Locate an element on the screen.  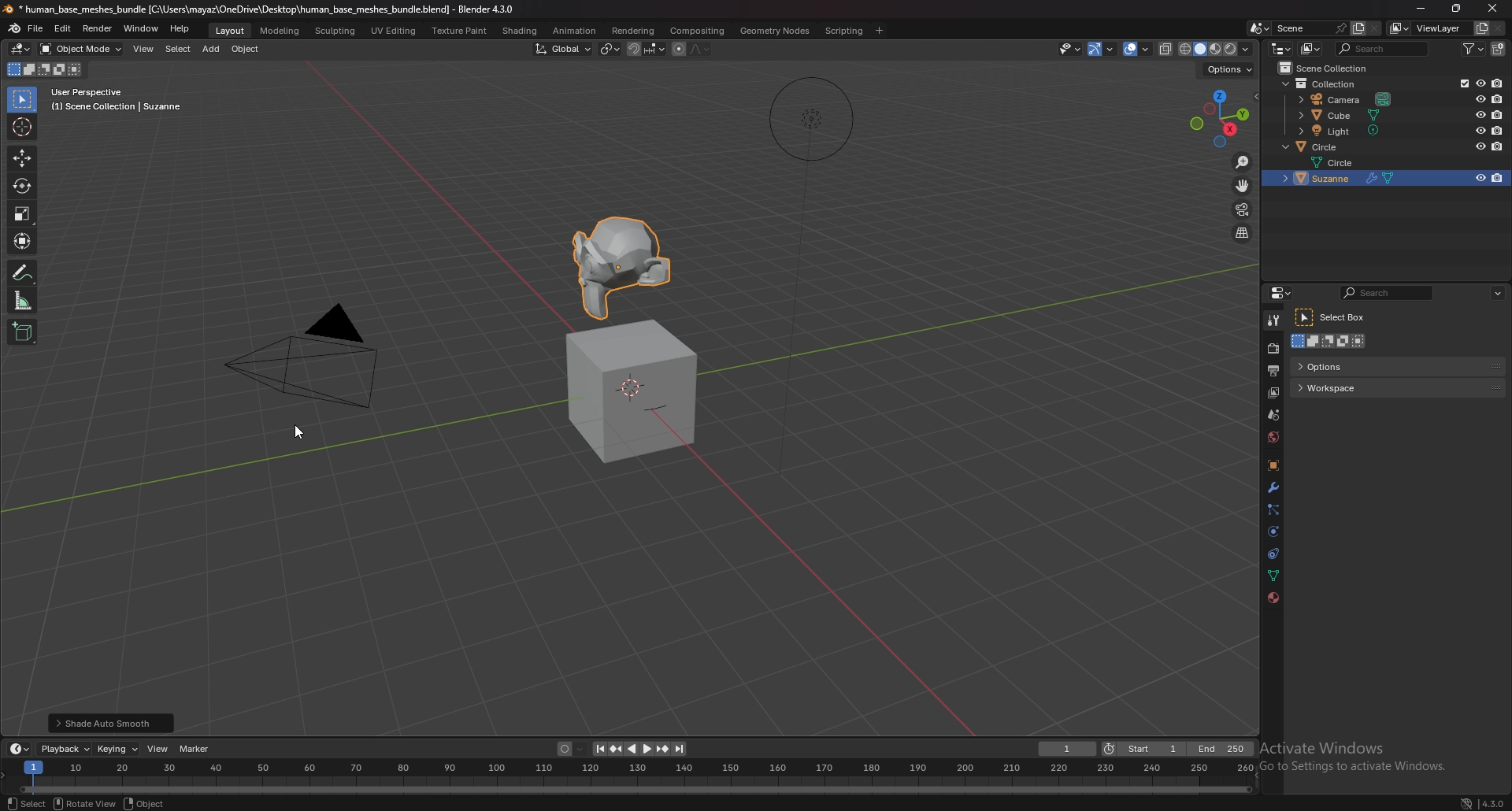
add is located at coordinates (213, 49).